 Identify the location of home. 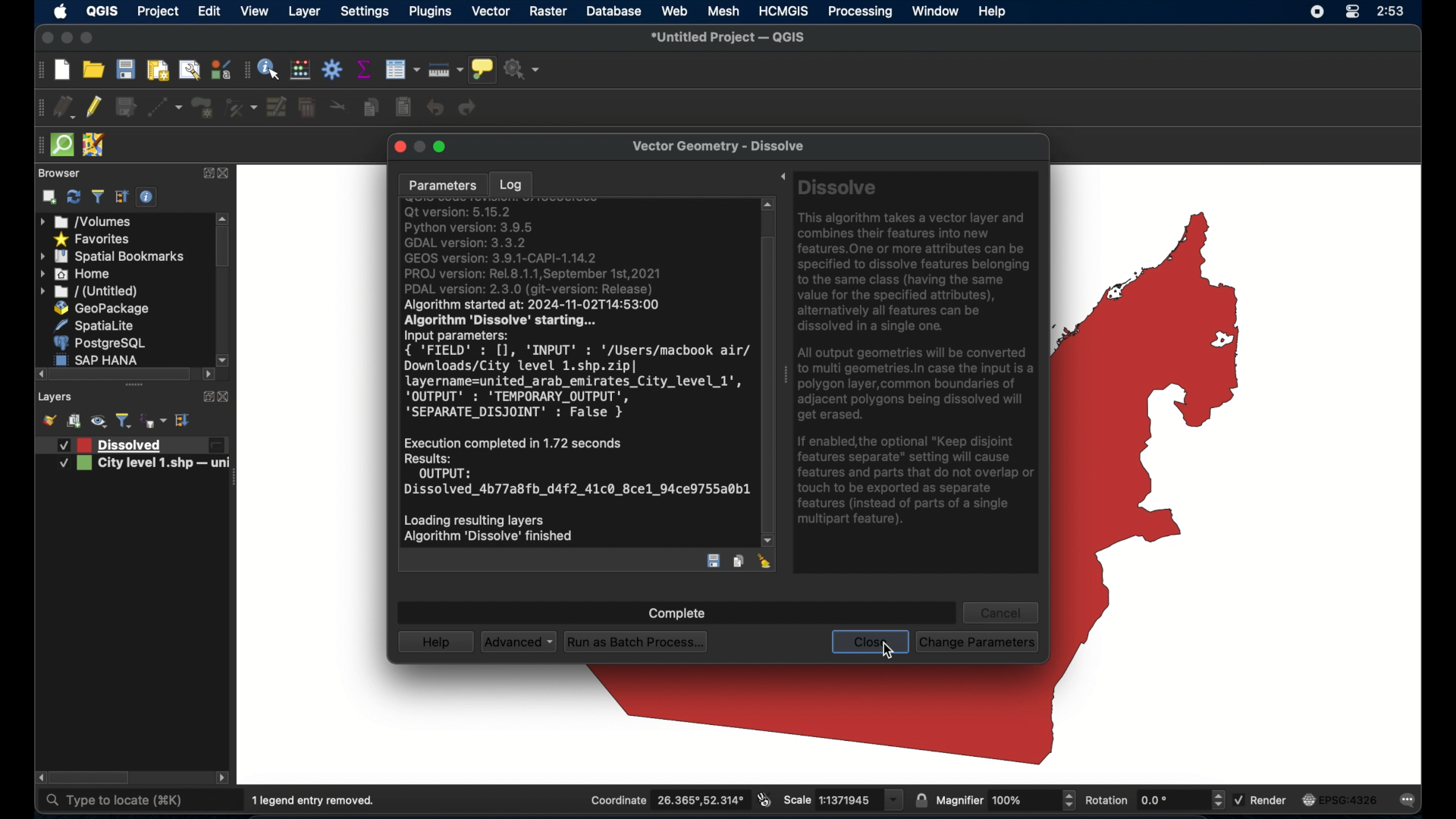
(77, 274).